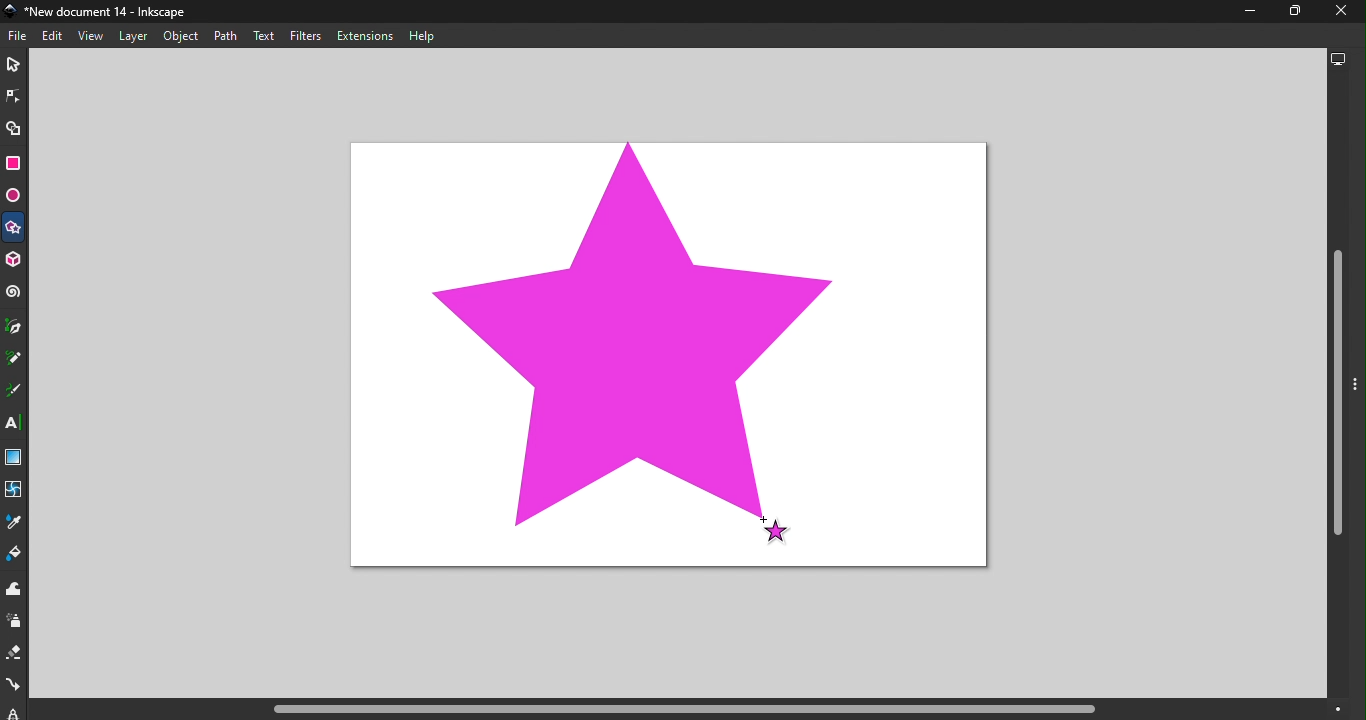 The width and height of the screenshot is (1366, 720). Describe the element at coordinates (774, 529) in the screenshot. I see `Cursor` at that location.